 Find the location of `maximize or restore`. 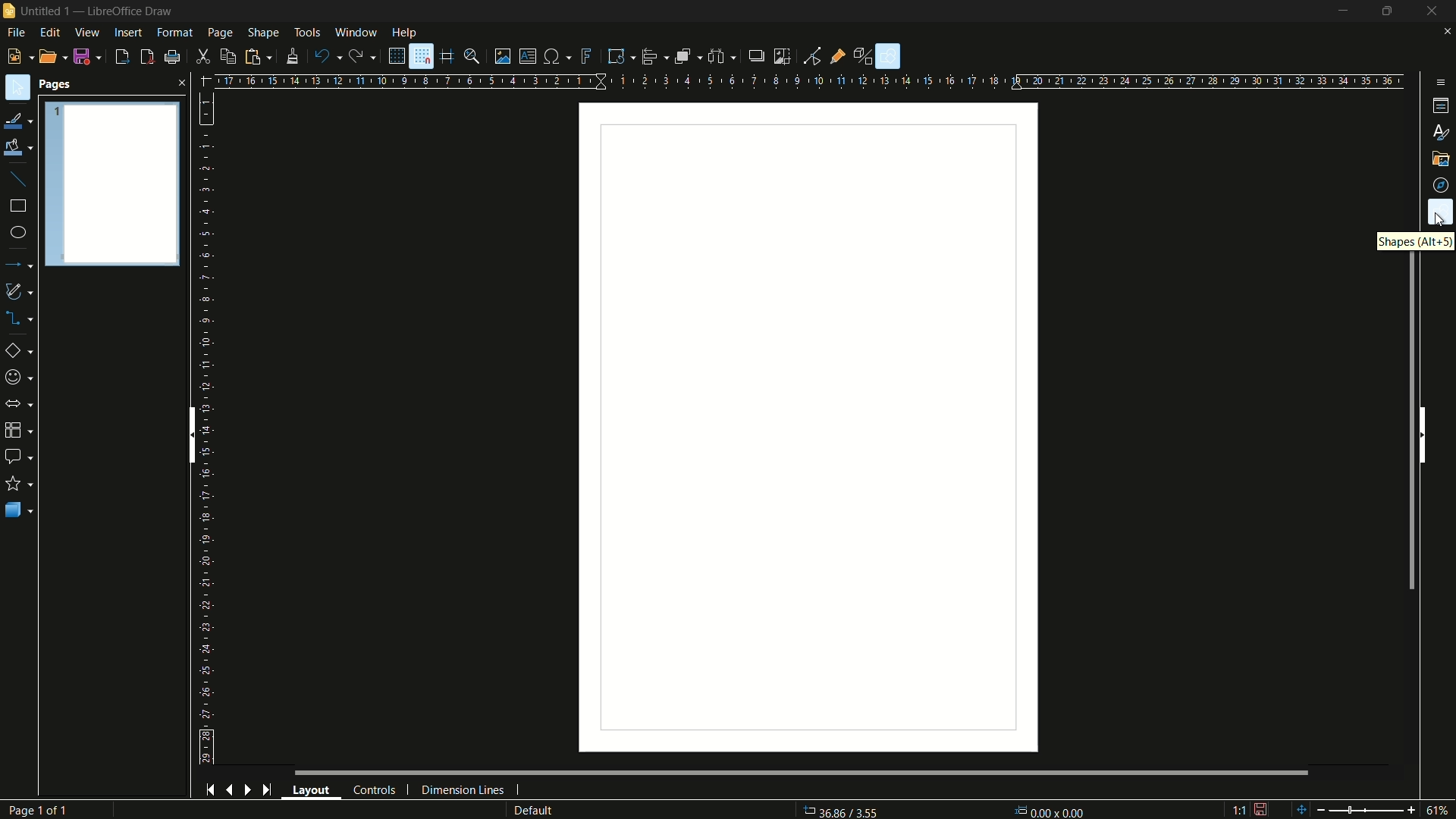

maximize or restore is located at coordinates (1391, 11).